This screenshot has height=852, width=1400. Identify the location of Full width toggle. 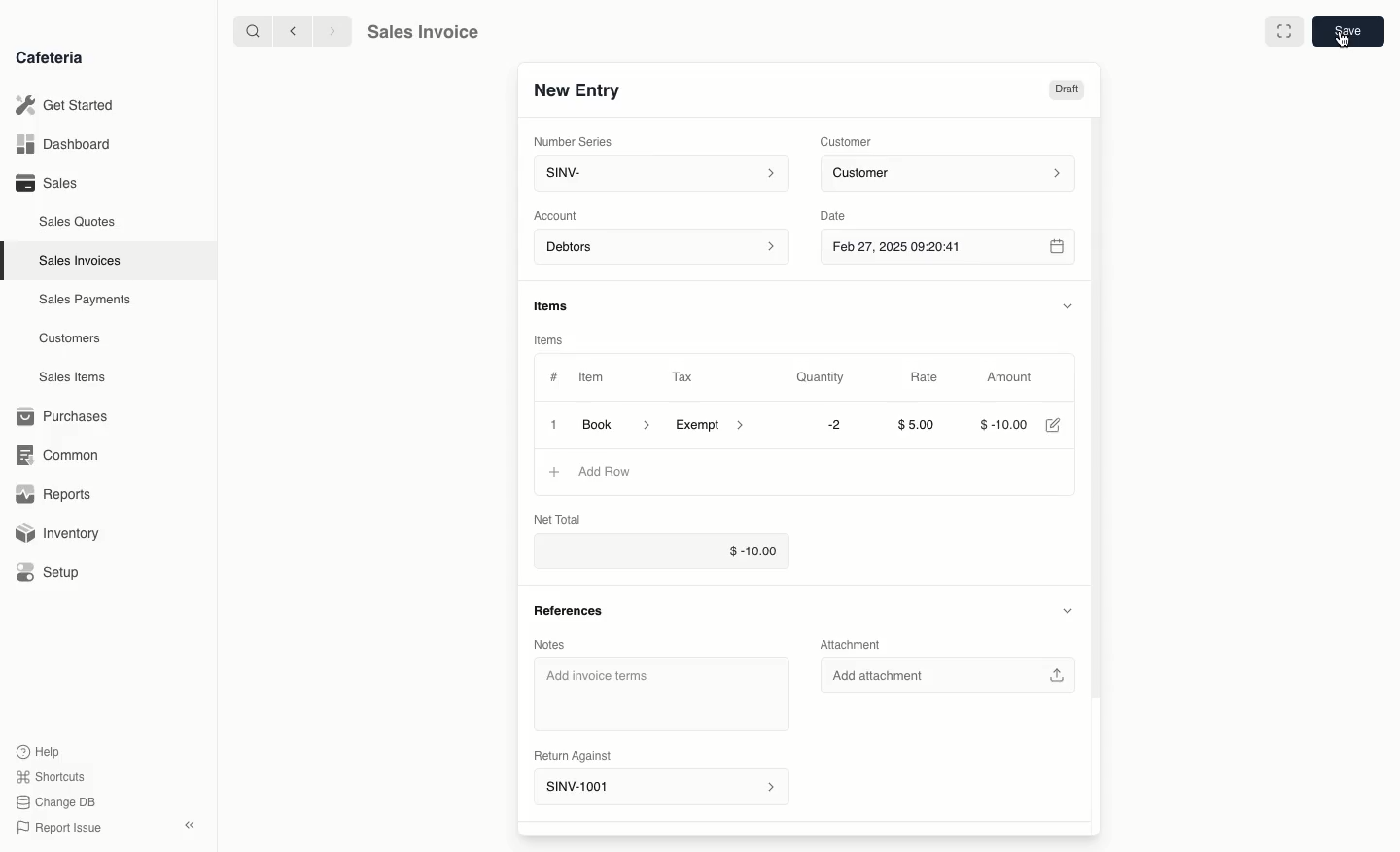
(1284, 30).